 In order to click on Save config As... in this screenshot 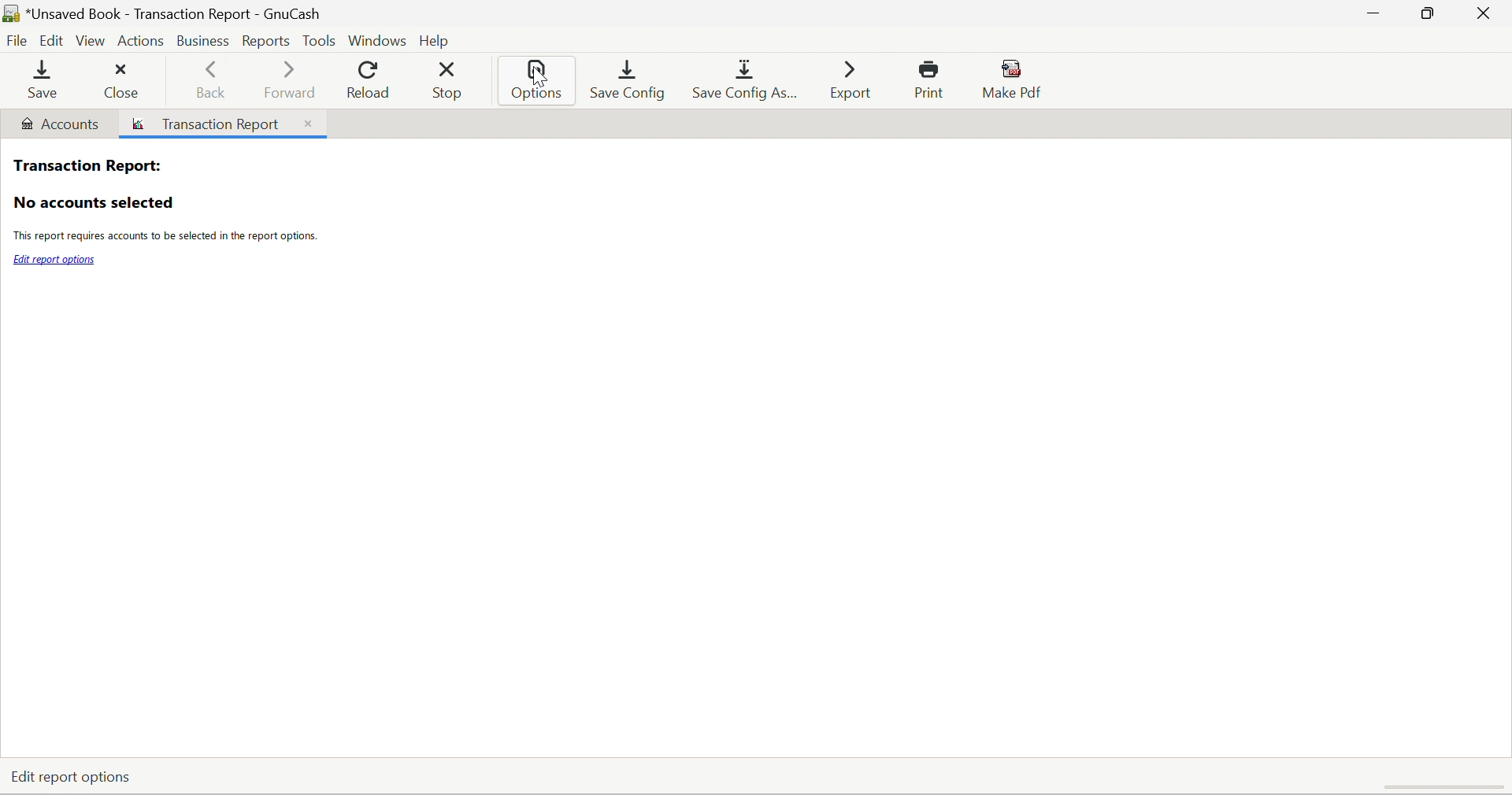, I will do `click(748, 82)`.